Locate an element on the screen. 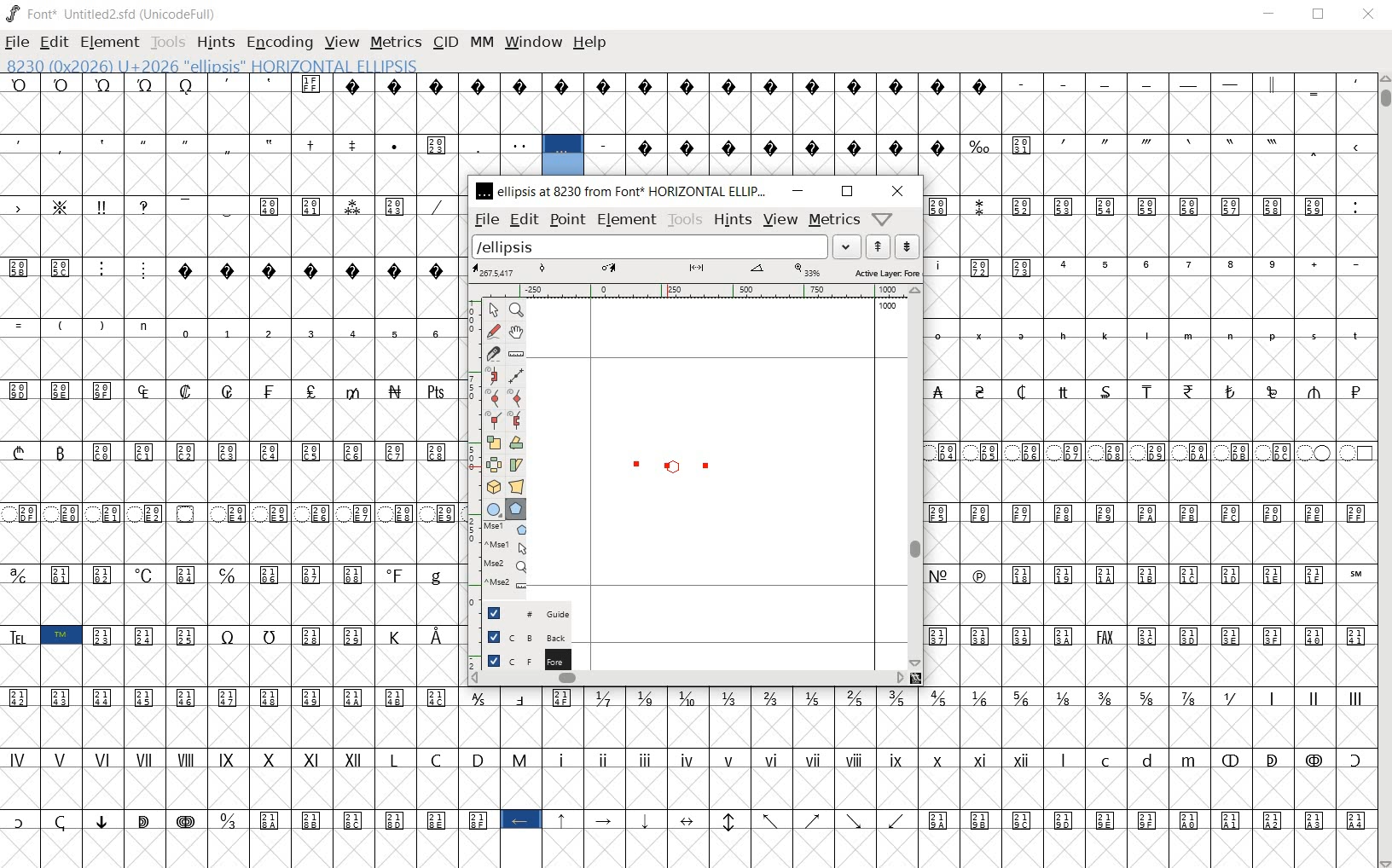 Image resolution: width=1392 pixels, height=868 pixels. add a curve point is located at coordinates (493, 396).